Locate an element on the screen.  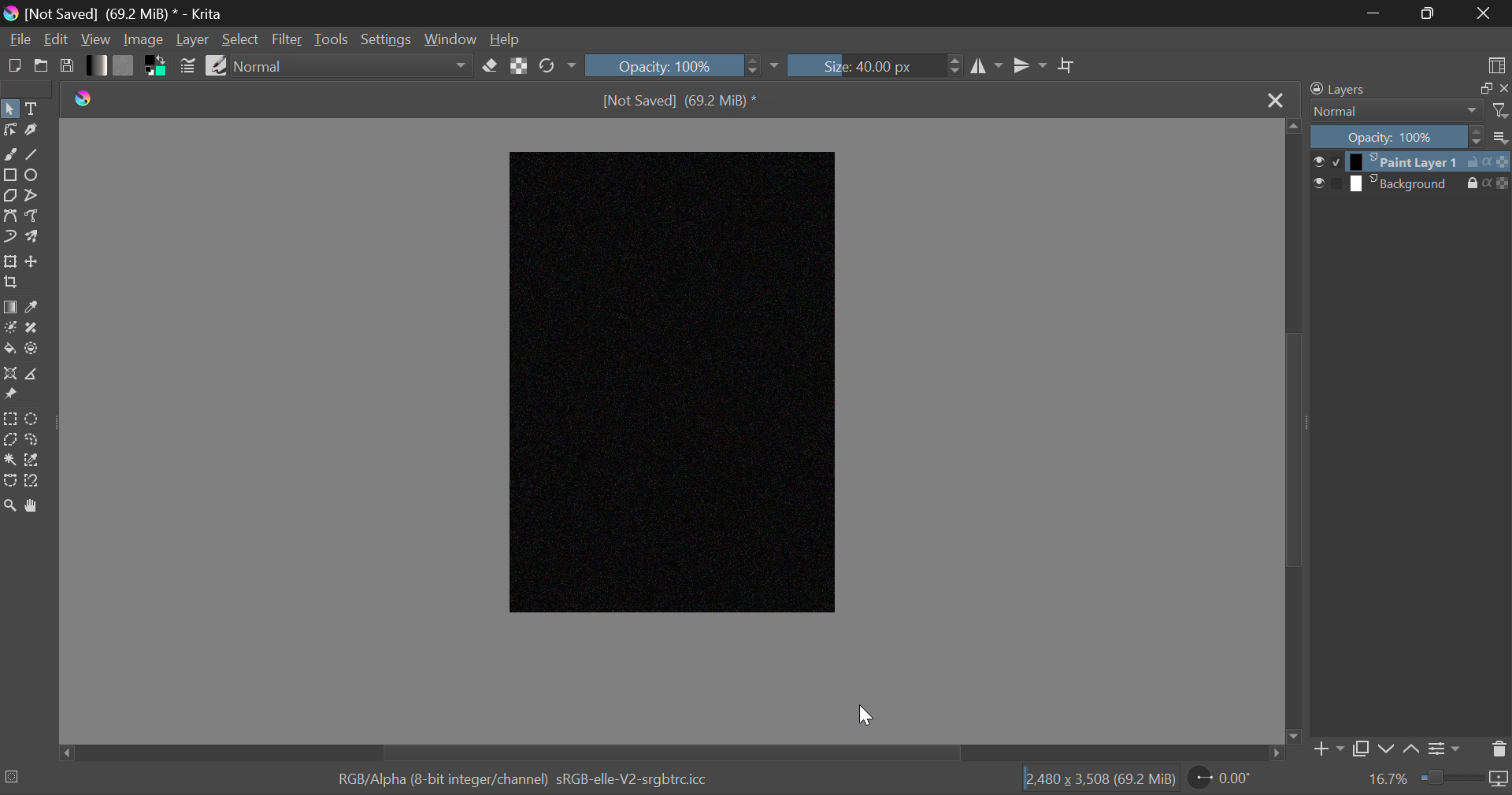
Calligraphic Tool is located at coordinates (31, 131).